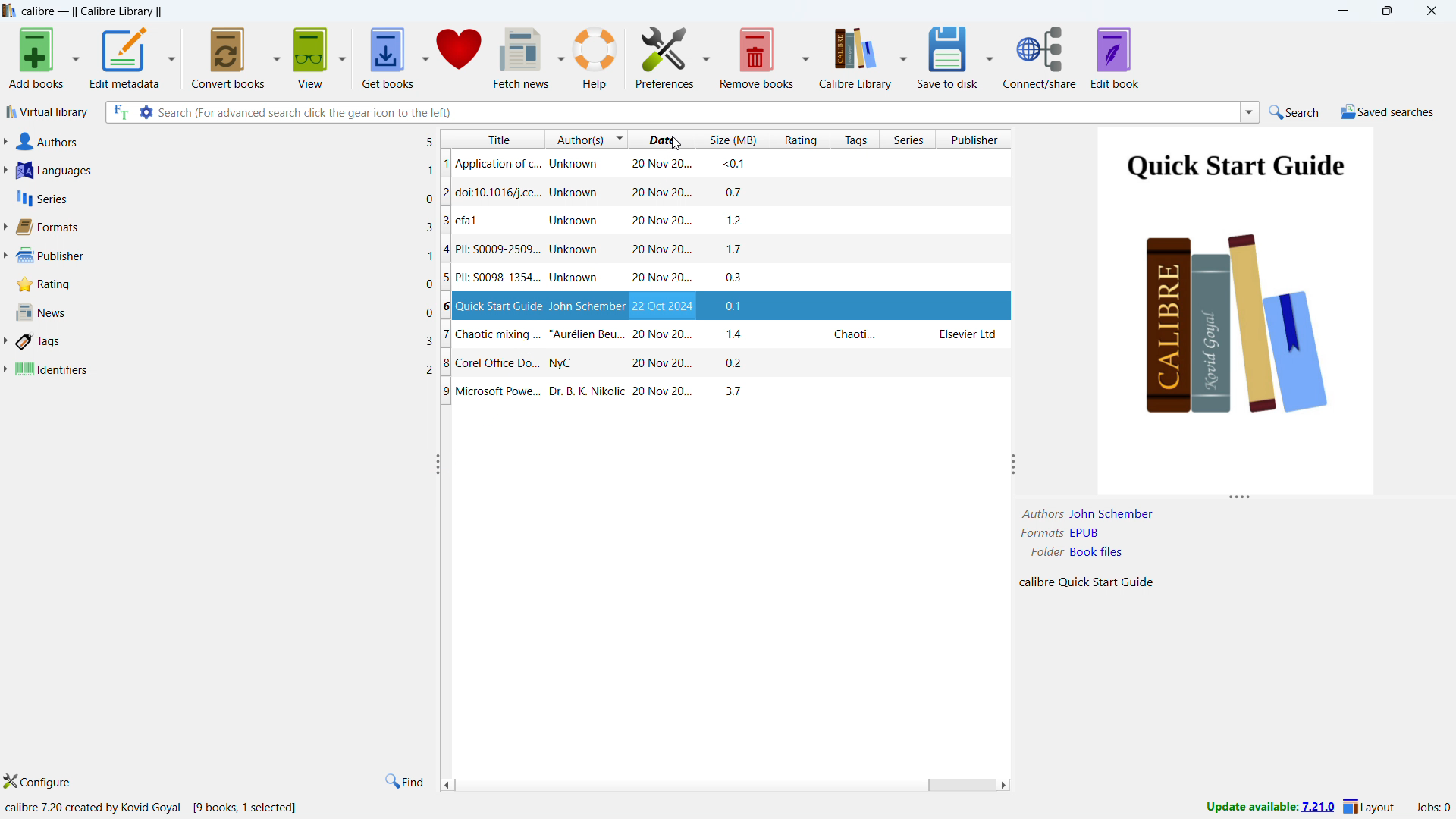  What do you see at coordinates (1039, 534) in the screenshot?
I see `Formats` at bounding box center [1039, 534].